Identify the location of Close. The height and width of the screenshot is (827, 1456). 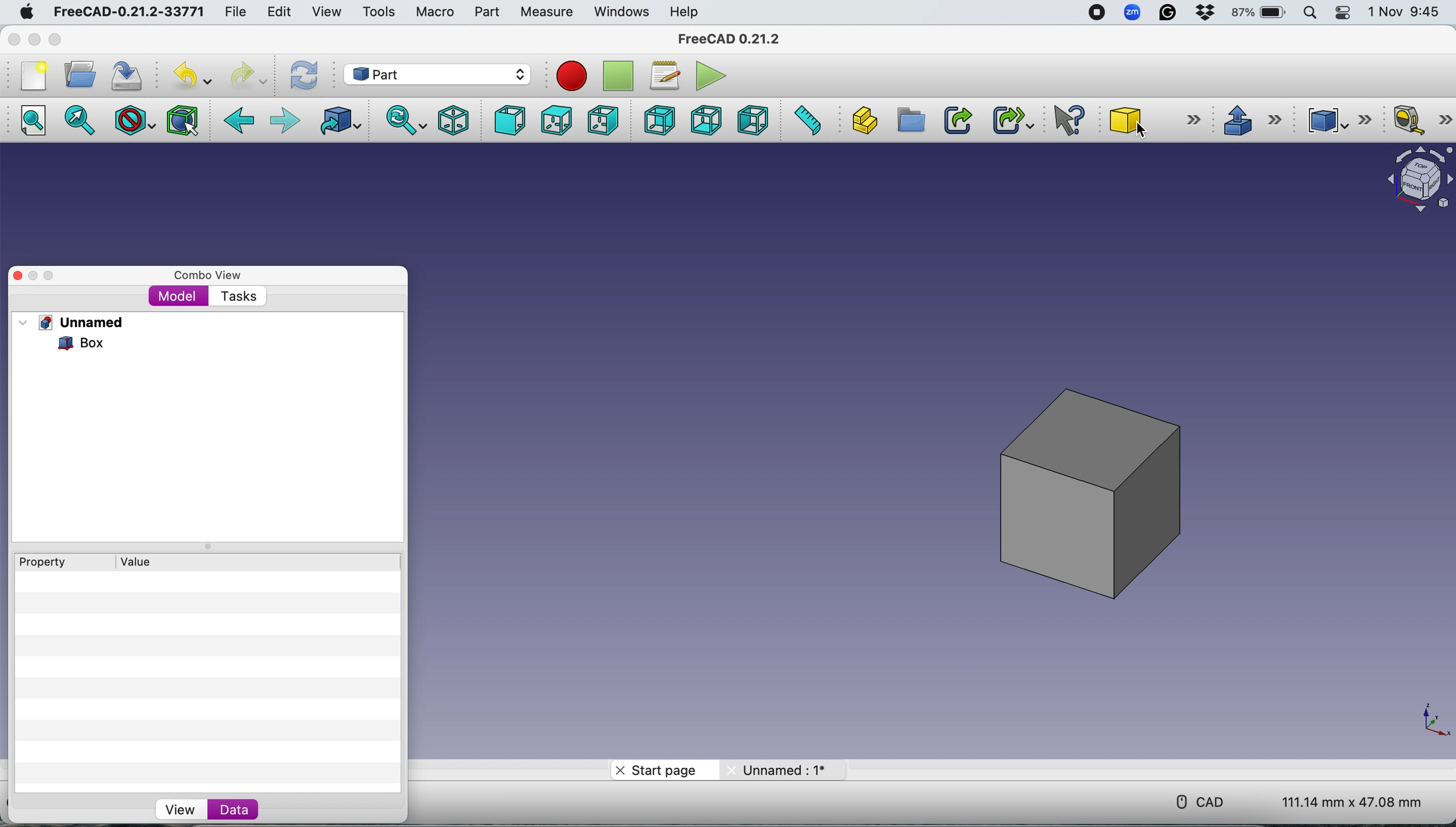
(14, 39).